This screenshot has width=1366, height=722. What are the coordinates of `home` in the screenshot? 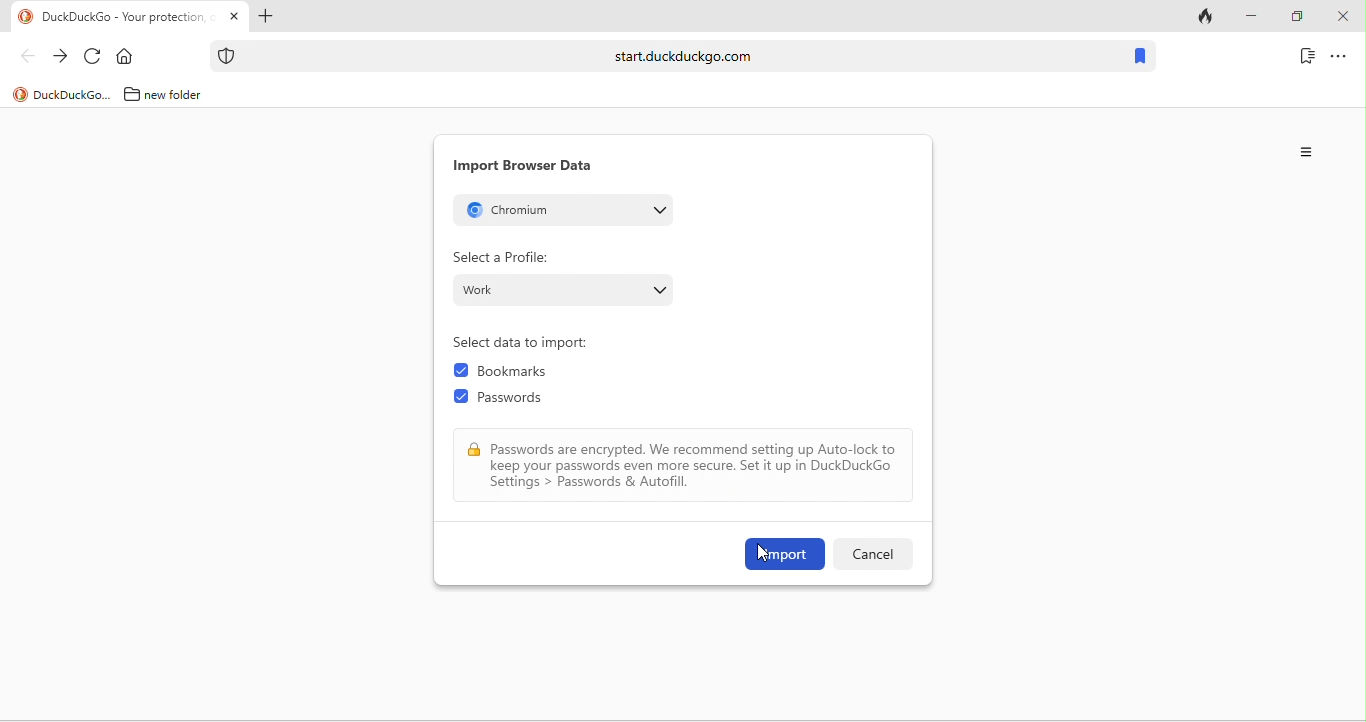 It's located at (129, 57).